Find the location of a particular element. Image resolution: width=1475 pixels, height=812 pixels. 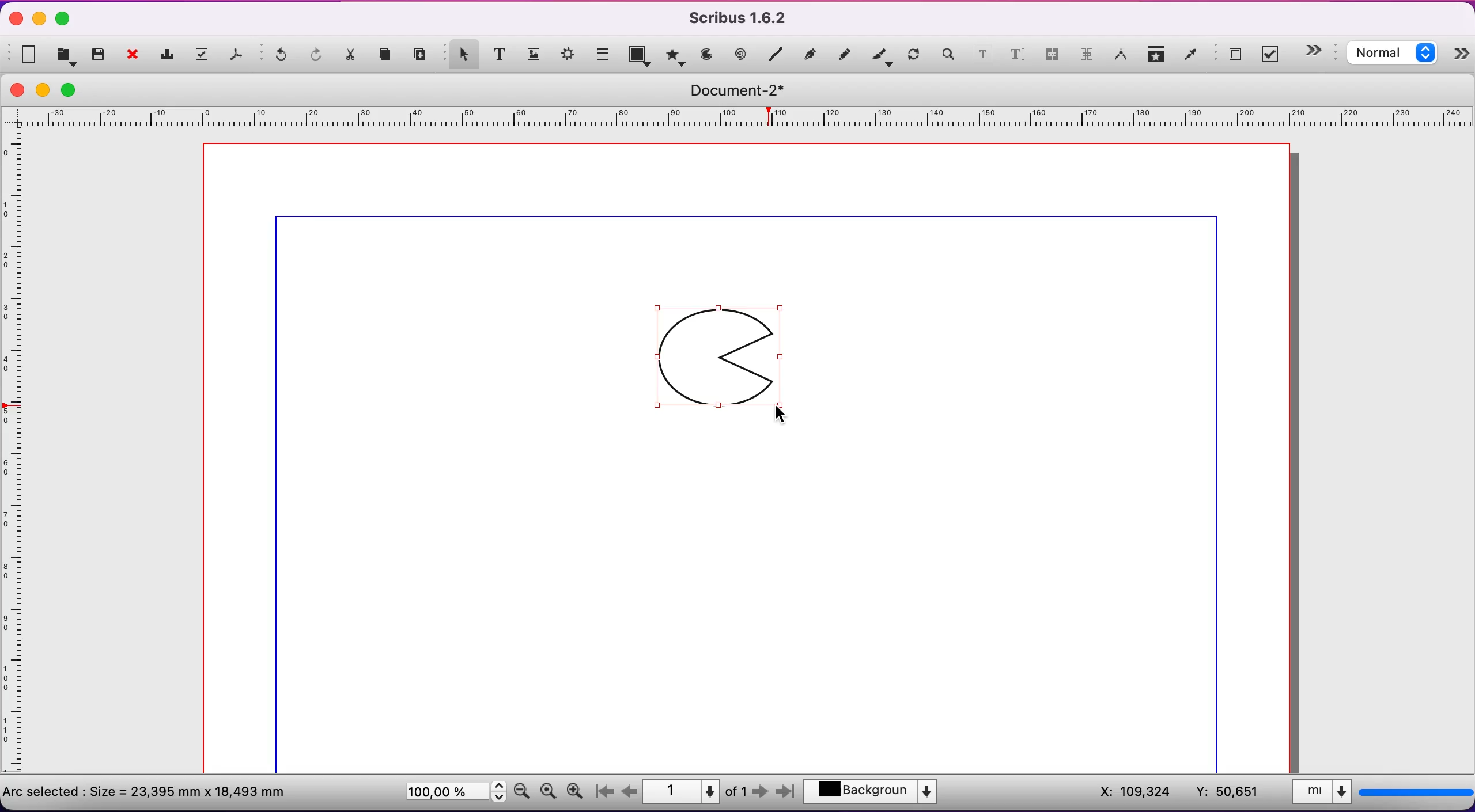

undo is located at coordinates (277, 58).